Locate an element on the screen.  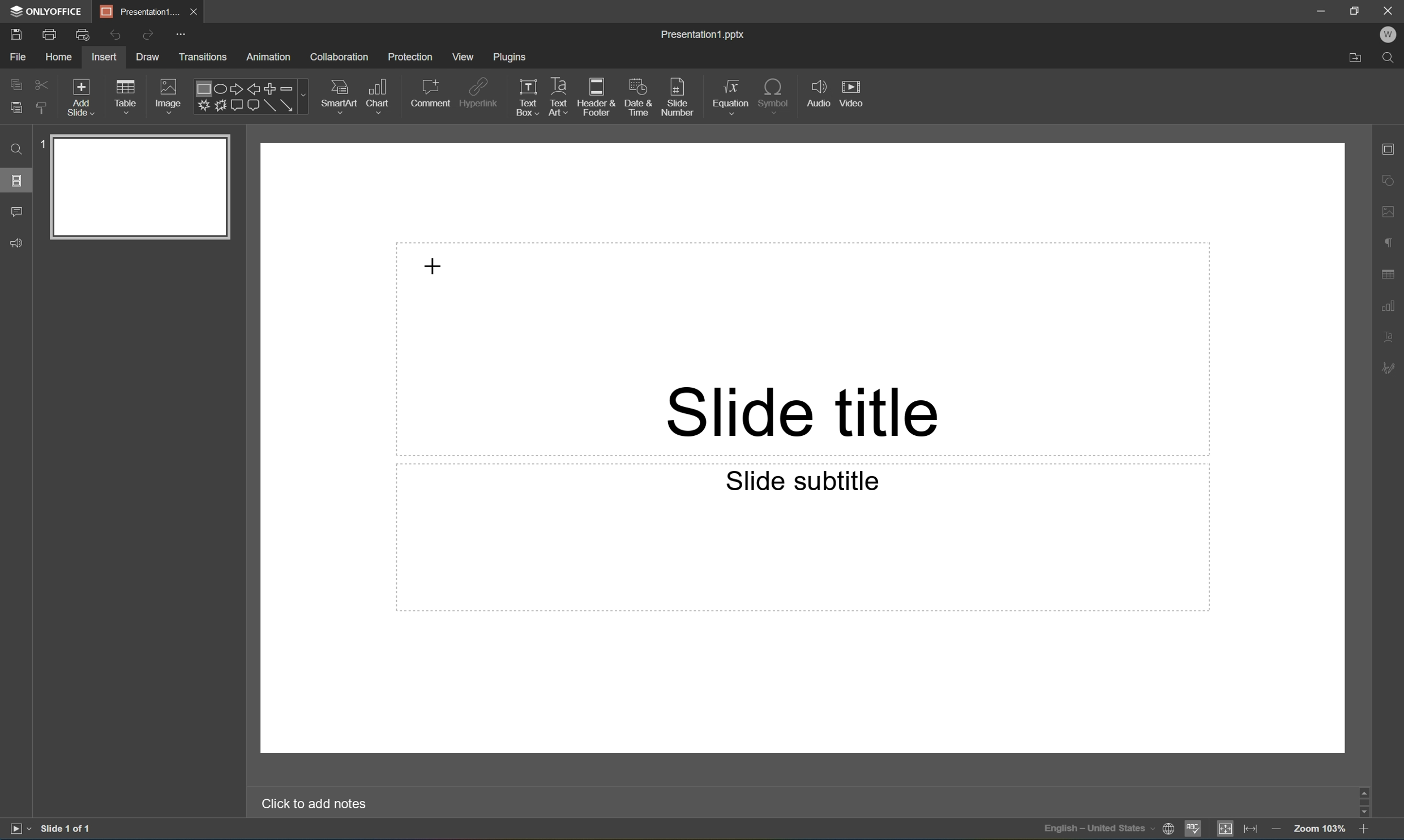
Protection is located at coordinates (410, 57).